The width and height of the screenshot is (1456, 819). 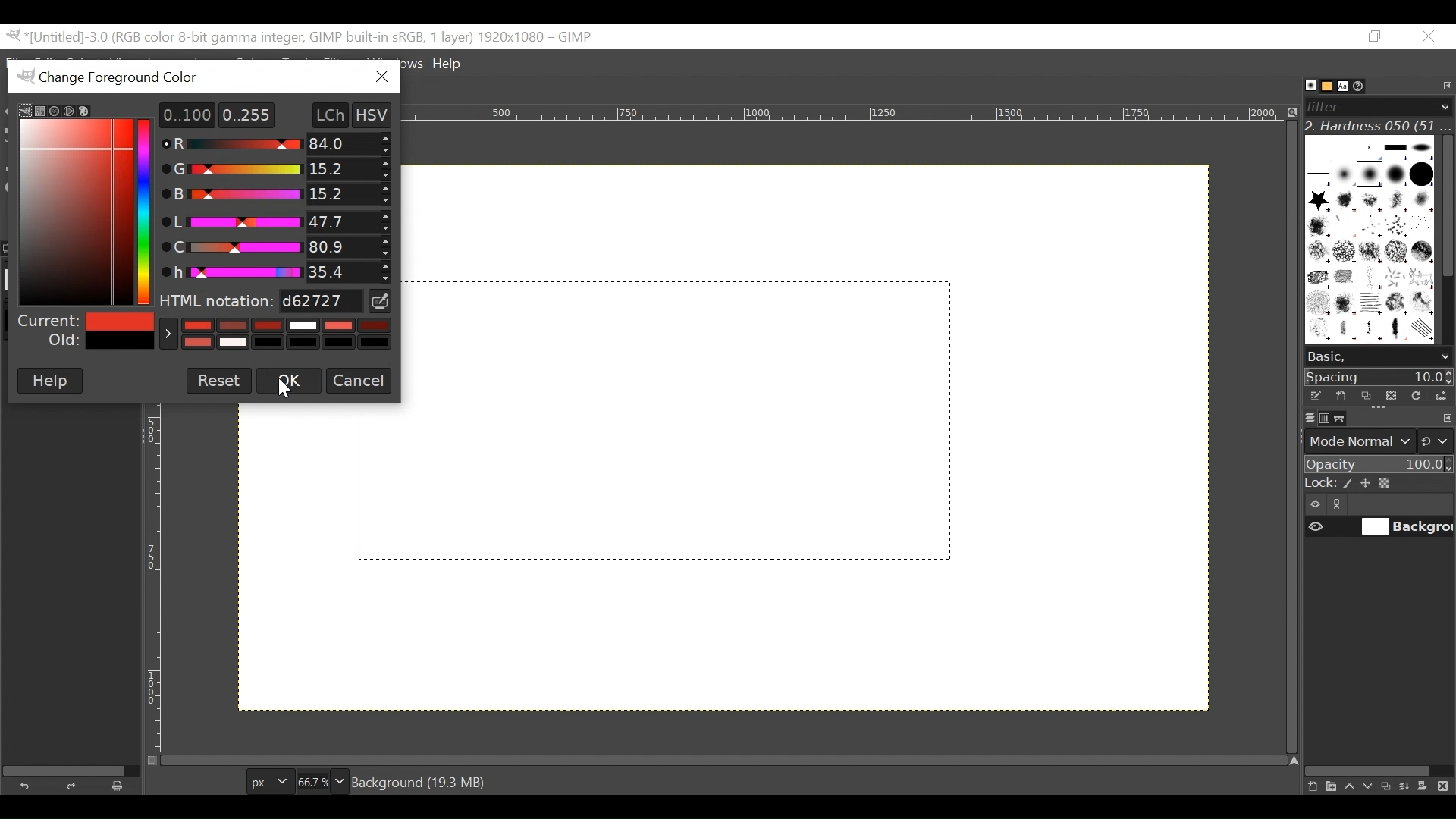 What do you see at coordinates (379, 114) in the screenshot?
I see `HSV` at bounding box center [379, 114].